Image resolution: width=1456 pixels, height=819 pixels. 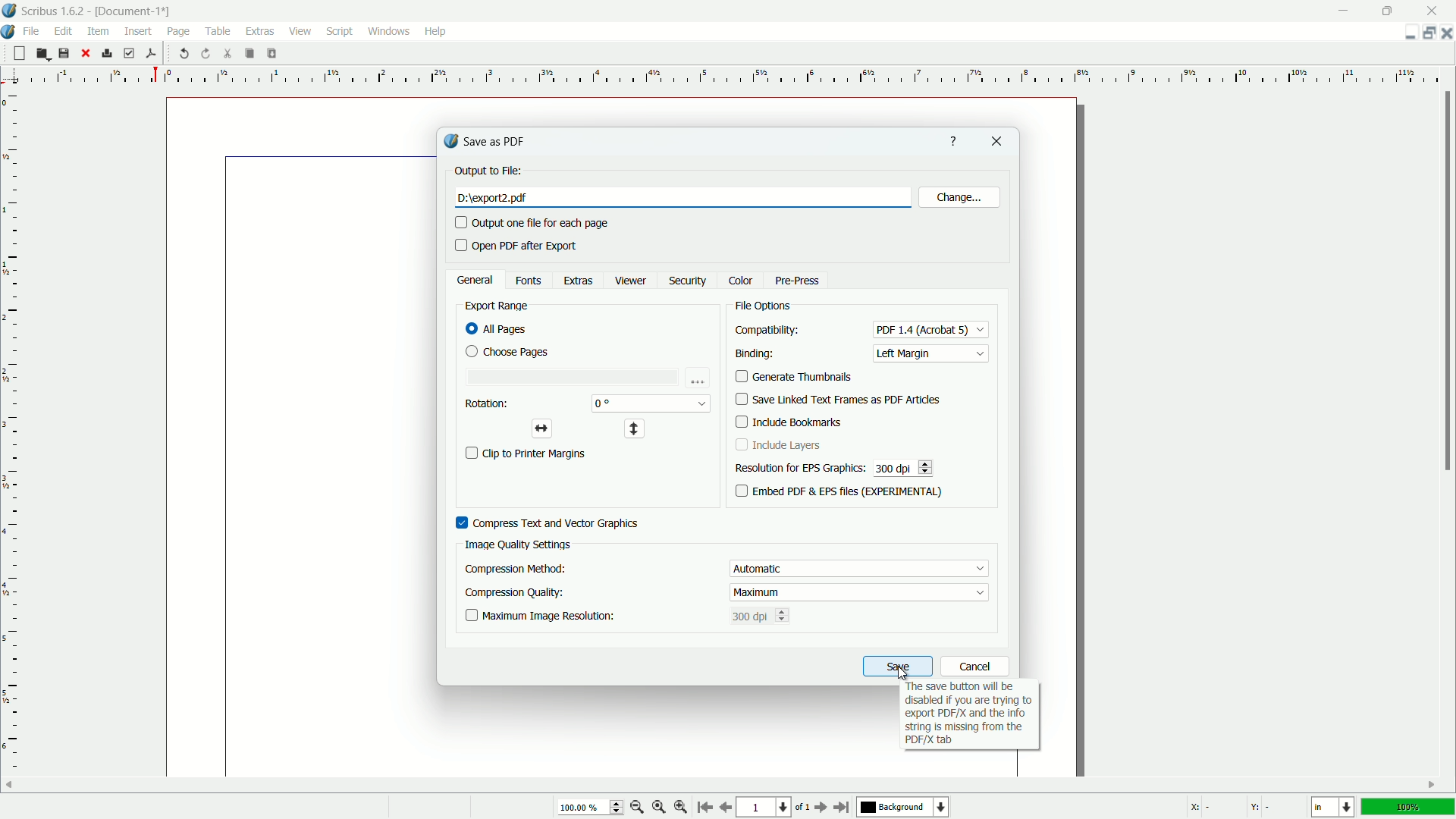 What do you see at coordinates (758, 592) in the screenshot?
I see `maximum` at bounding box center [758, 592].